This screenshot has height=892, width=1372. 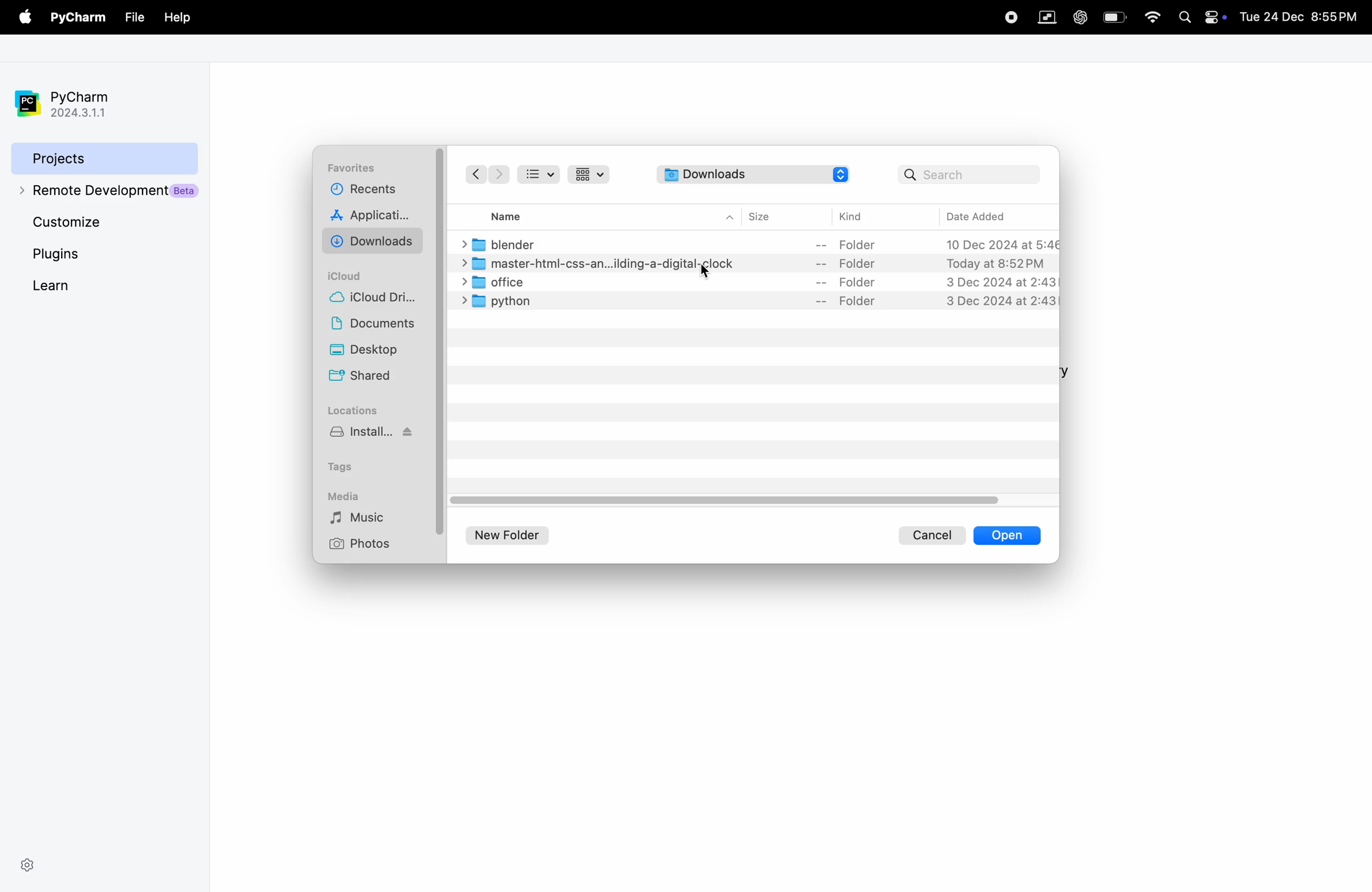 What do you see at coordinates (854, 217) in the screenshot?
I see `kind` at bounding box center [854, 217].